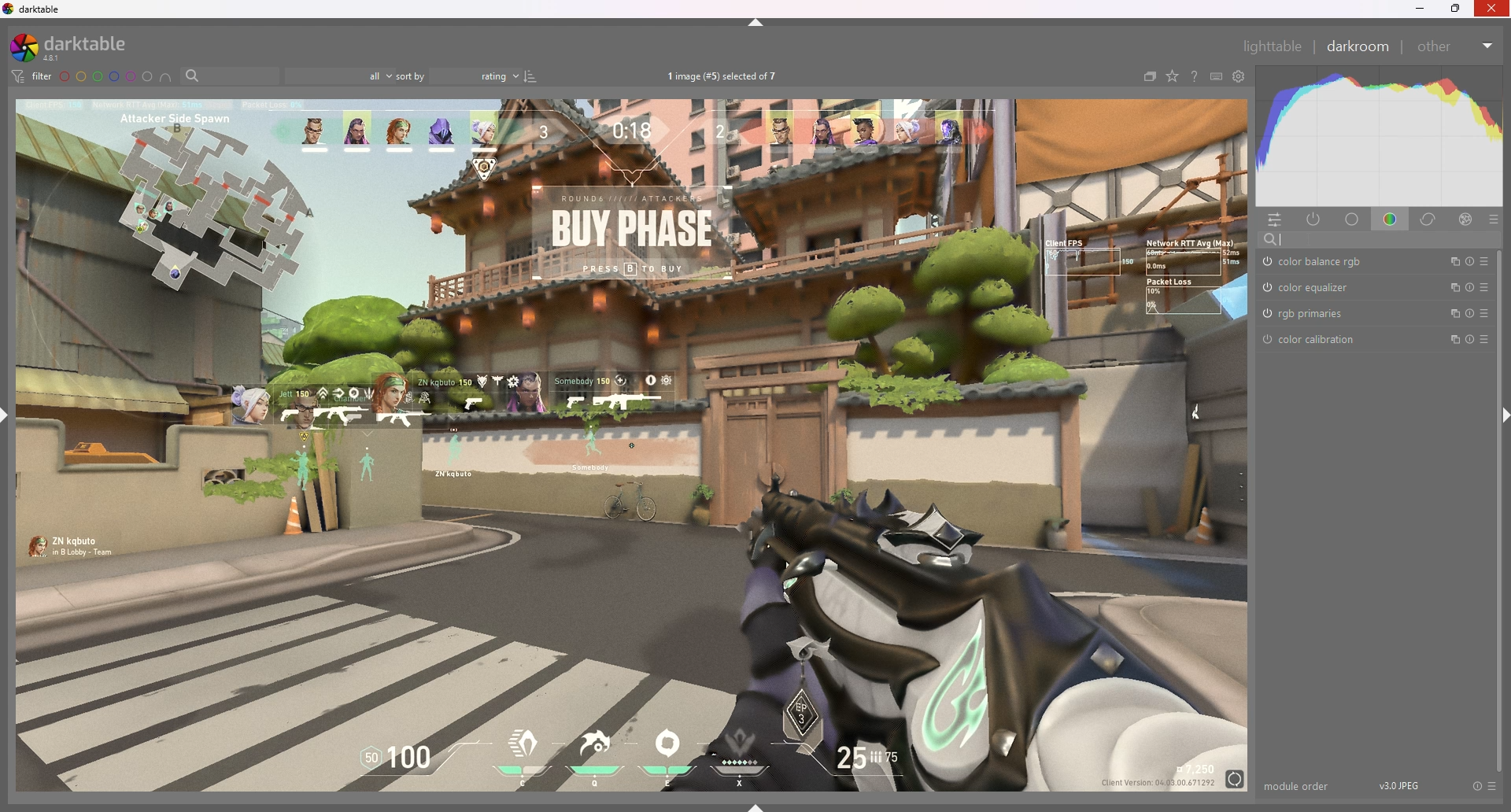 The height and width of the screenshot is (812, 1511). What do you see at coordinates (459, 76) in the screenshot?
I see `sort by` at bounding box center [459, 76].